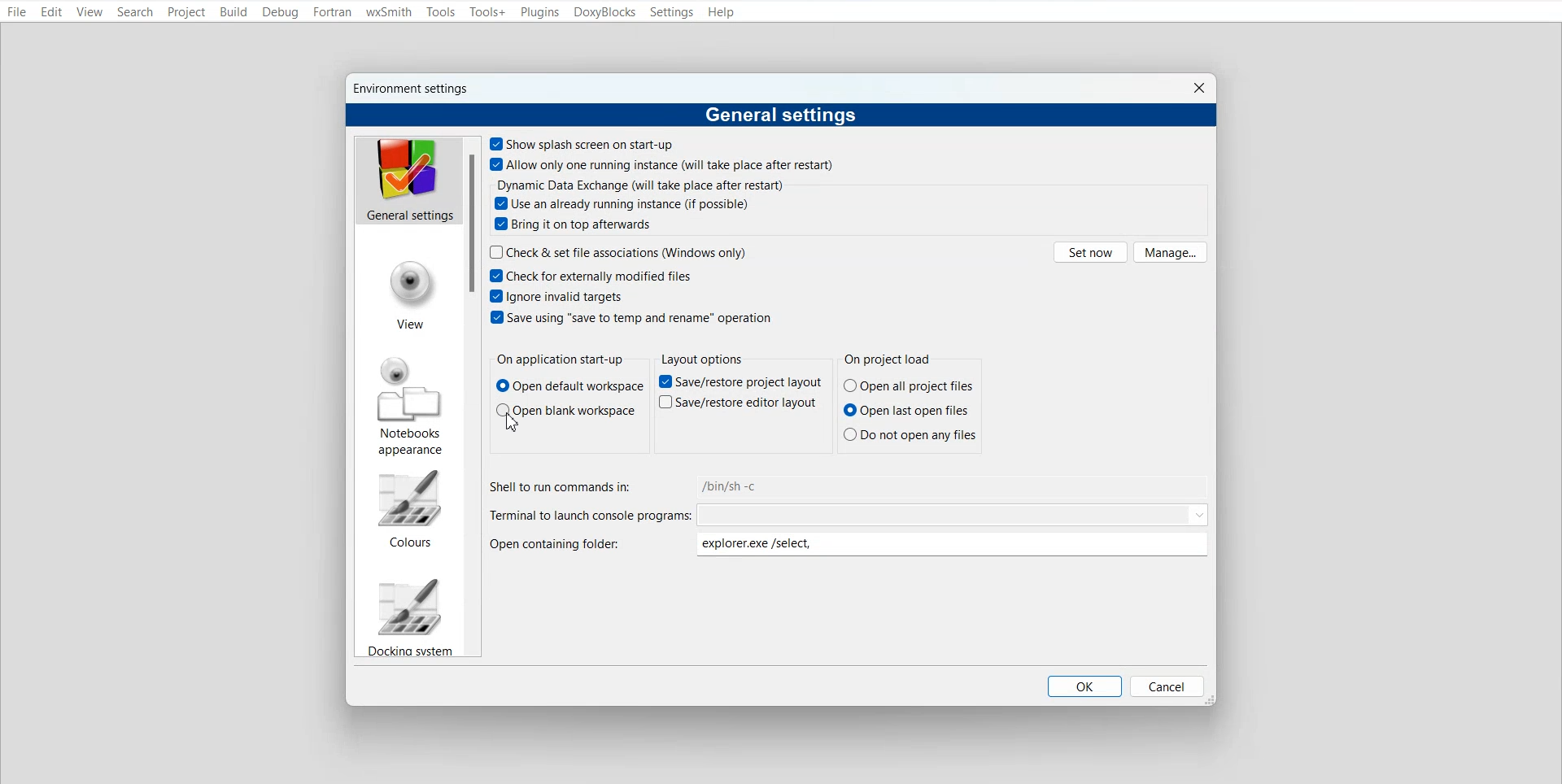  Describe the element at coordinates (590, 275) in the screenshot. I see `Check for externally modified files` at that location.